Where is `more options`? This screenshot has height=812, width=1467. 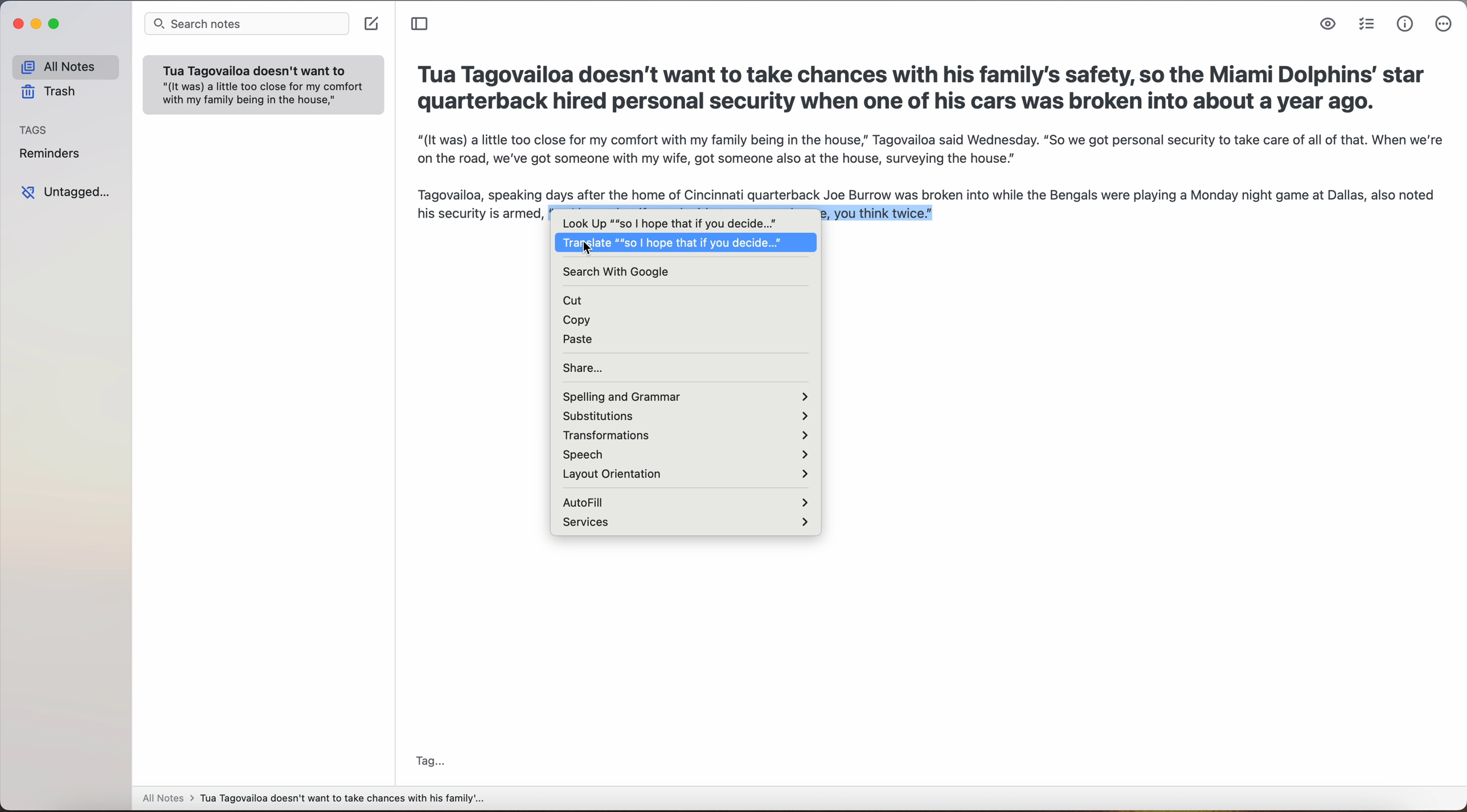
more options is located at coordinates (1443, 24).